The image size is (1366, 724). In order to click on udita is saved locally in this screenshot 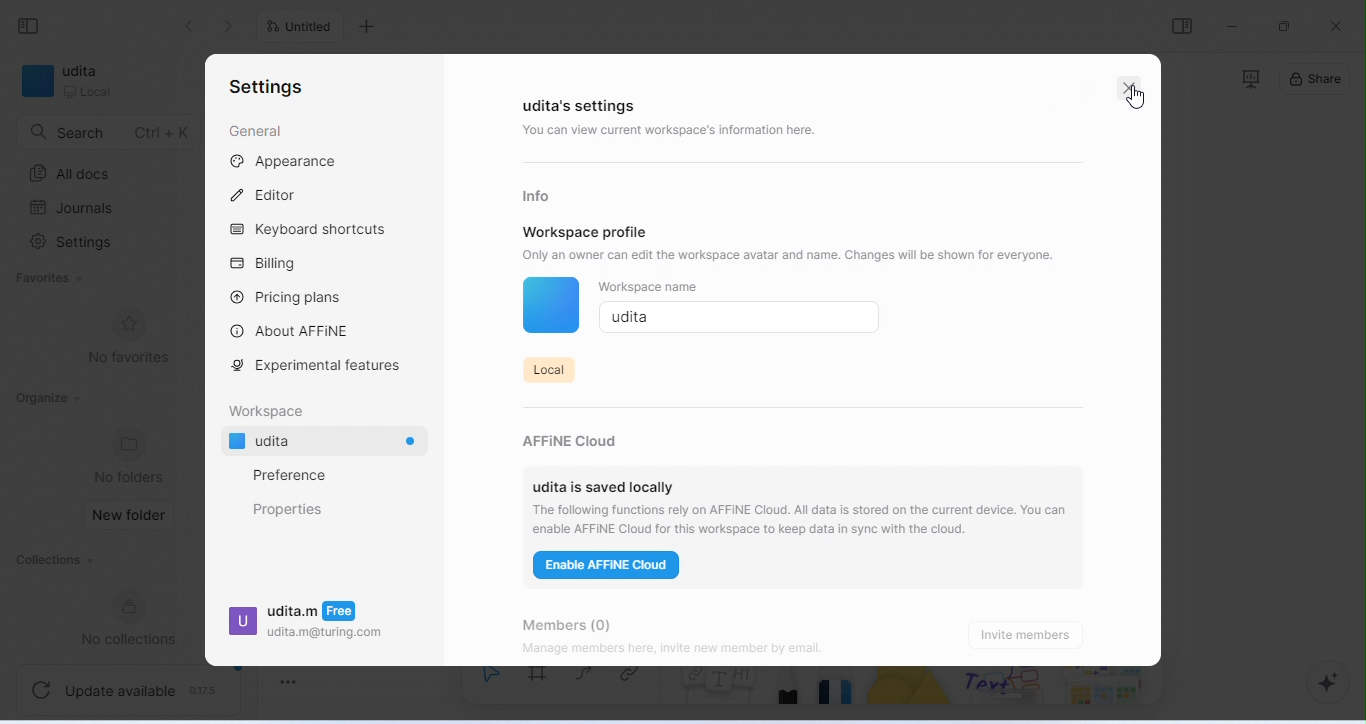, I will do `click(602, 483)`.